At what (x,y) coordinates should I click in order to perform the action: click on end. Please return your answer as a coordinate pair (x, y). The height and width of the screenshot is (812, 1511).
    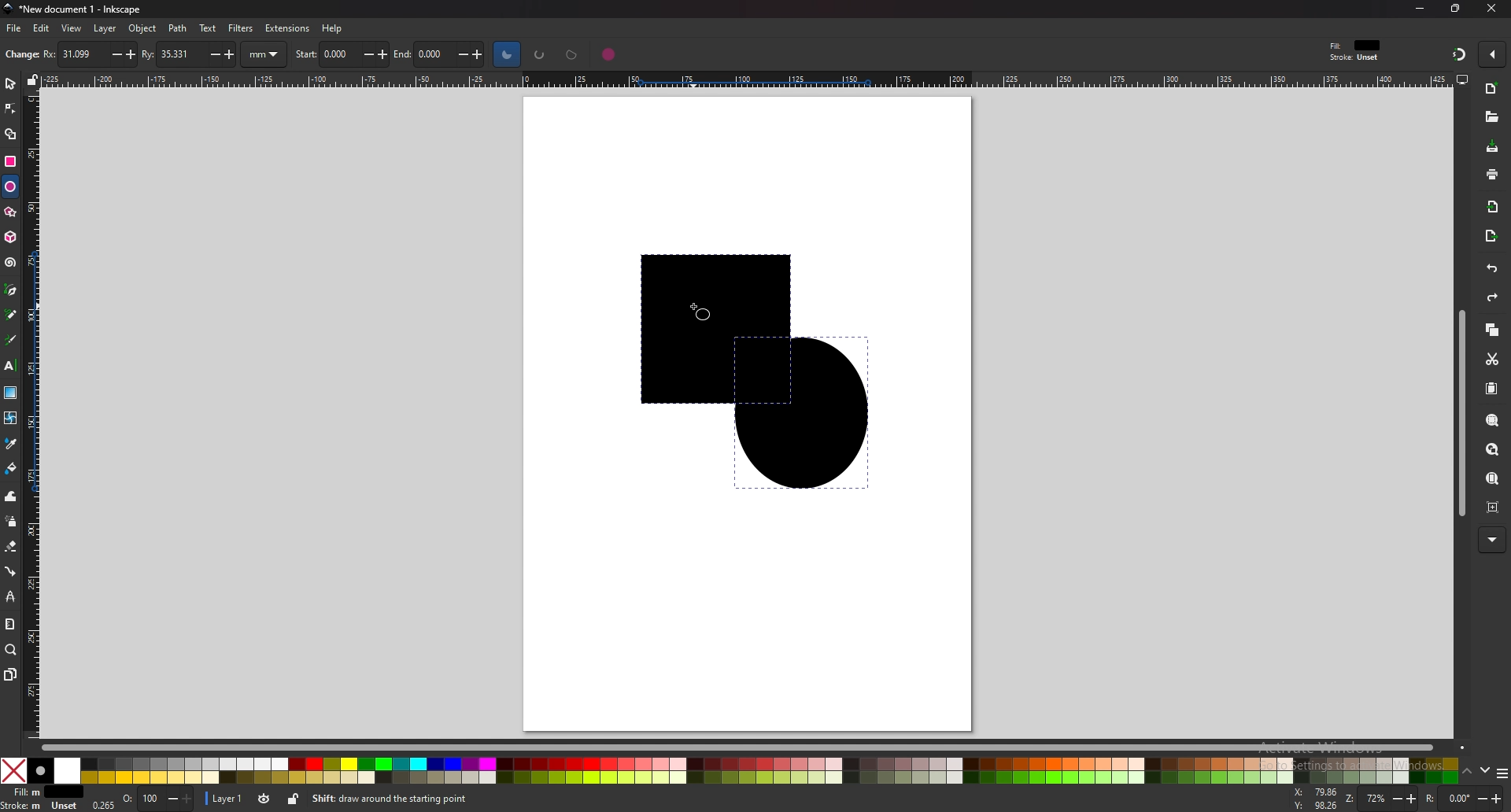
    Looking at the image, I should click on (443, 55).